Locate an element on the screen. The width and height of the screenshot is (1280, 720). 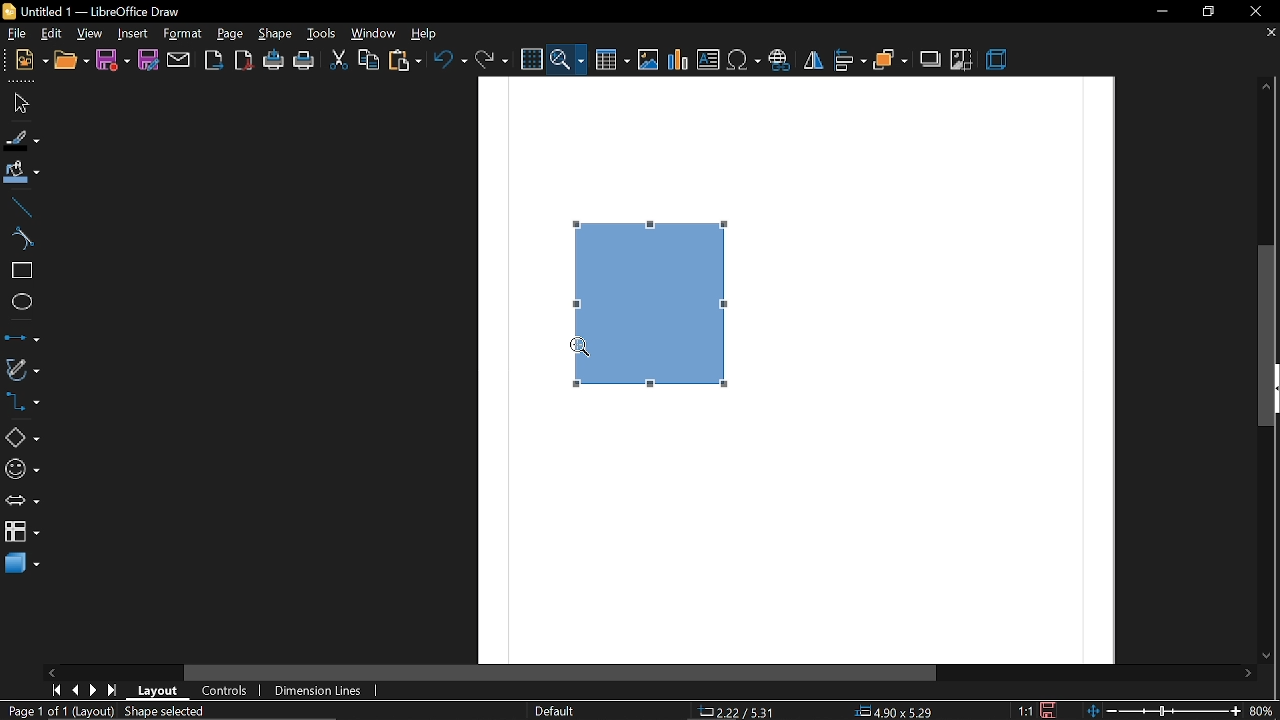
help is located at coordinates (427, 34).